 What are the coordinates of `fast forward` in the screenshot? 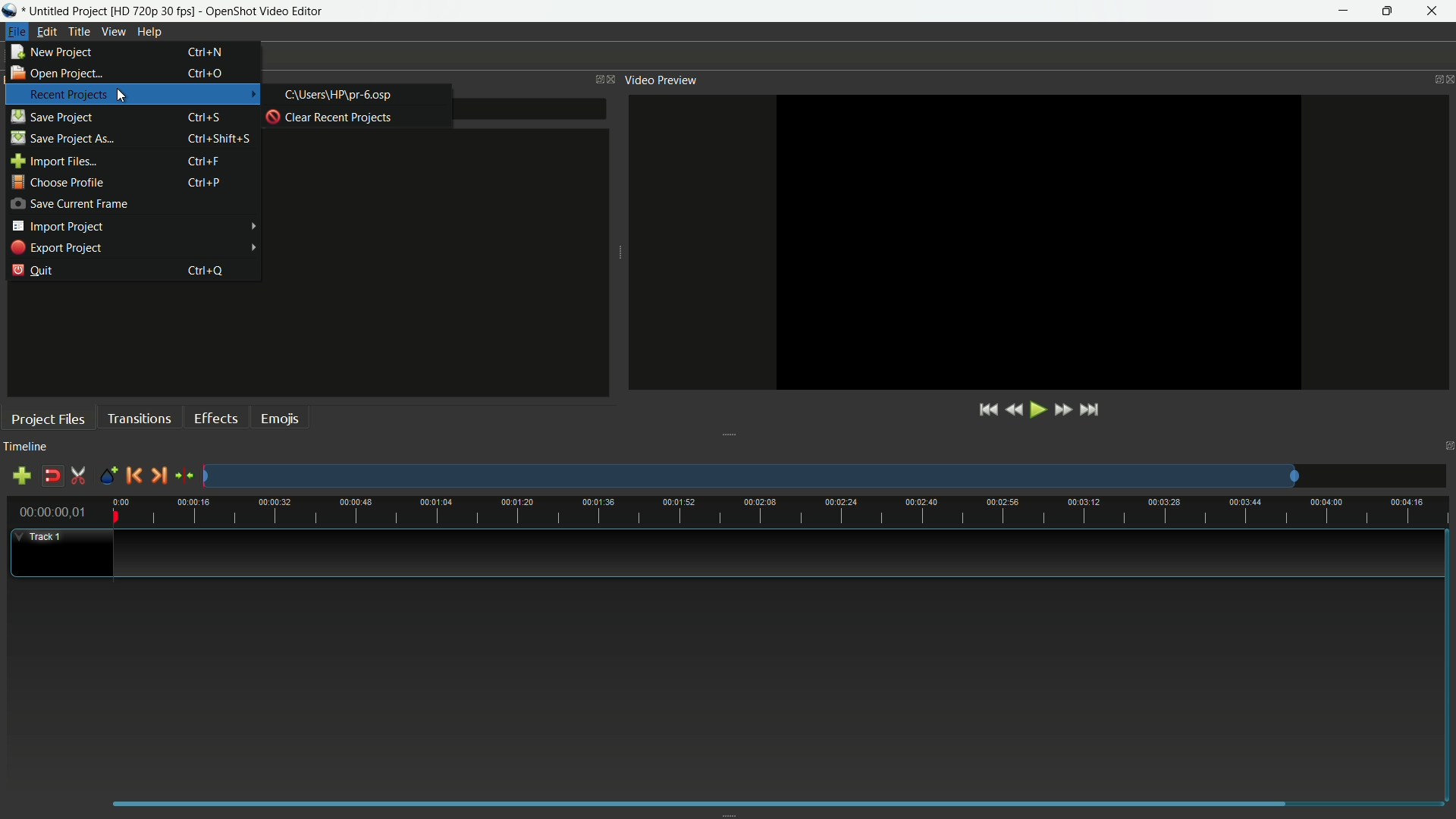 It's located at (1062, 410).